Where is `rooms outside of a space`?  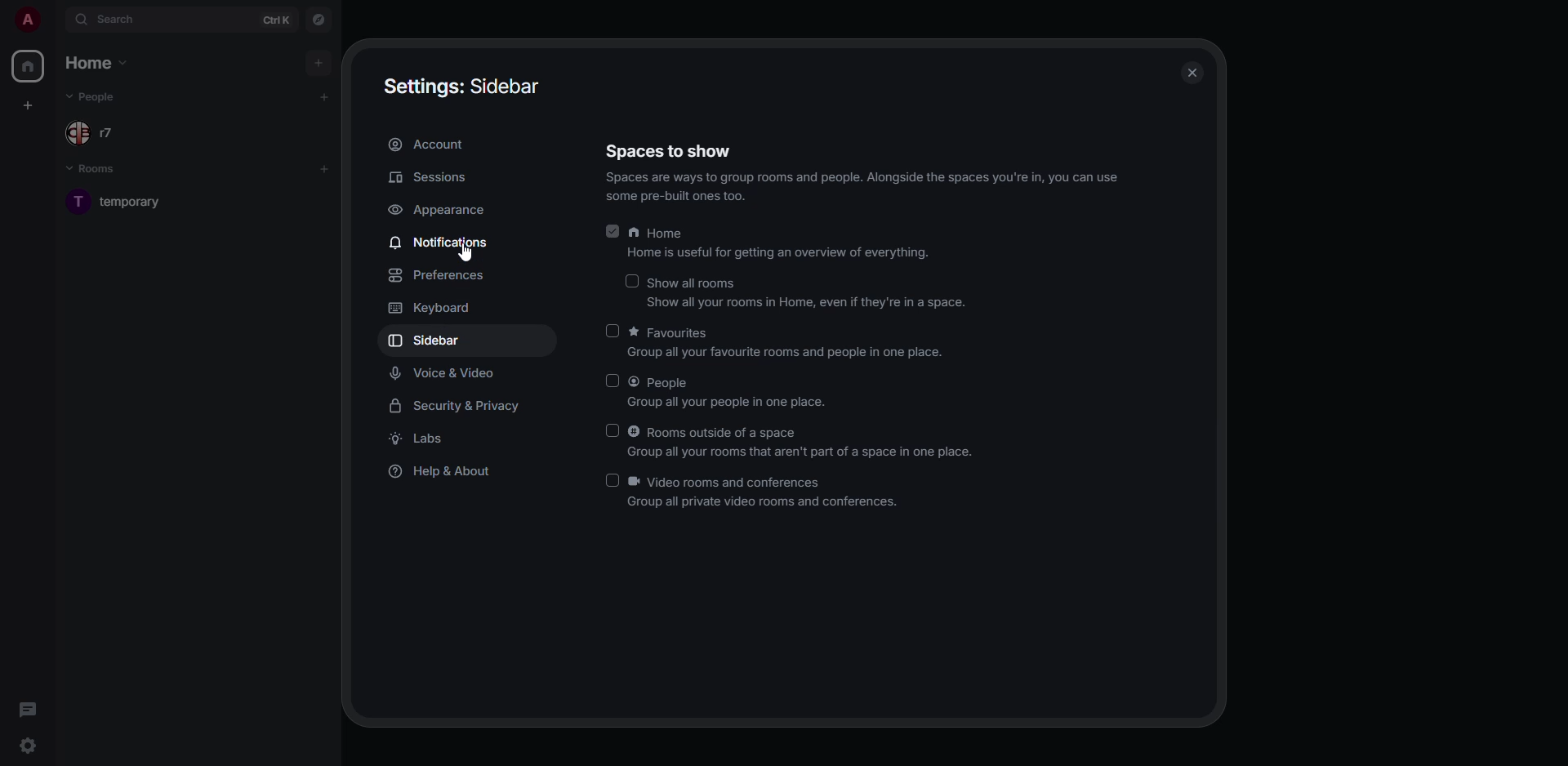
rooms outside of a space is located at coordinates (807, 442).